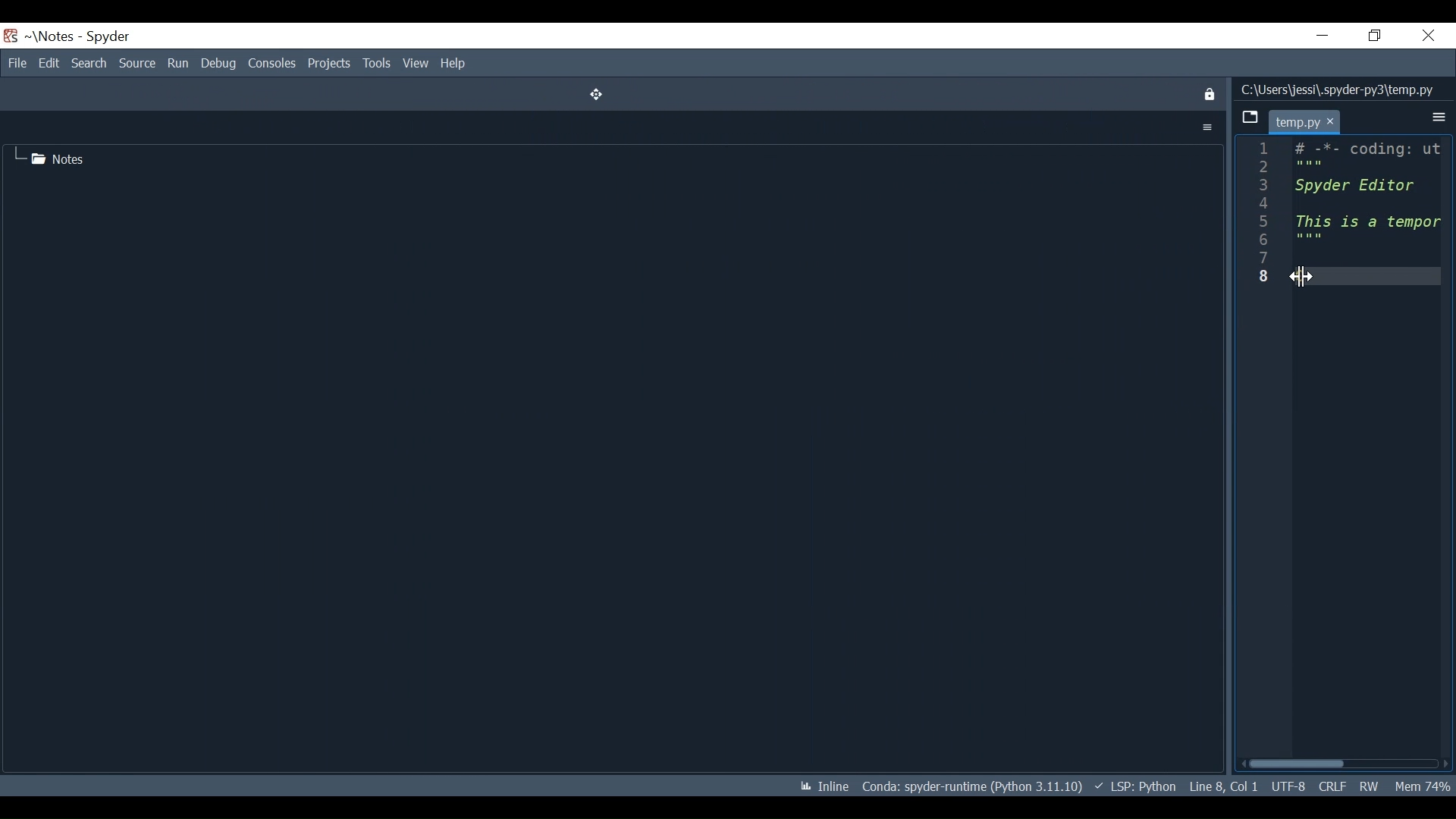 This screenshot has height=819, width=1456. I want to click on Line 8, Col 1, so click(1222, 786).